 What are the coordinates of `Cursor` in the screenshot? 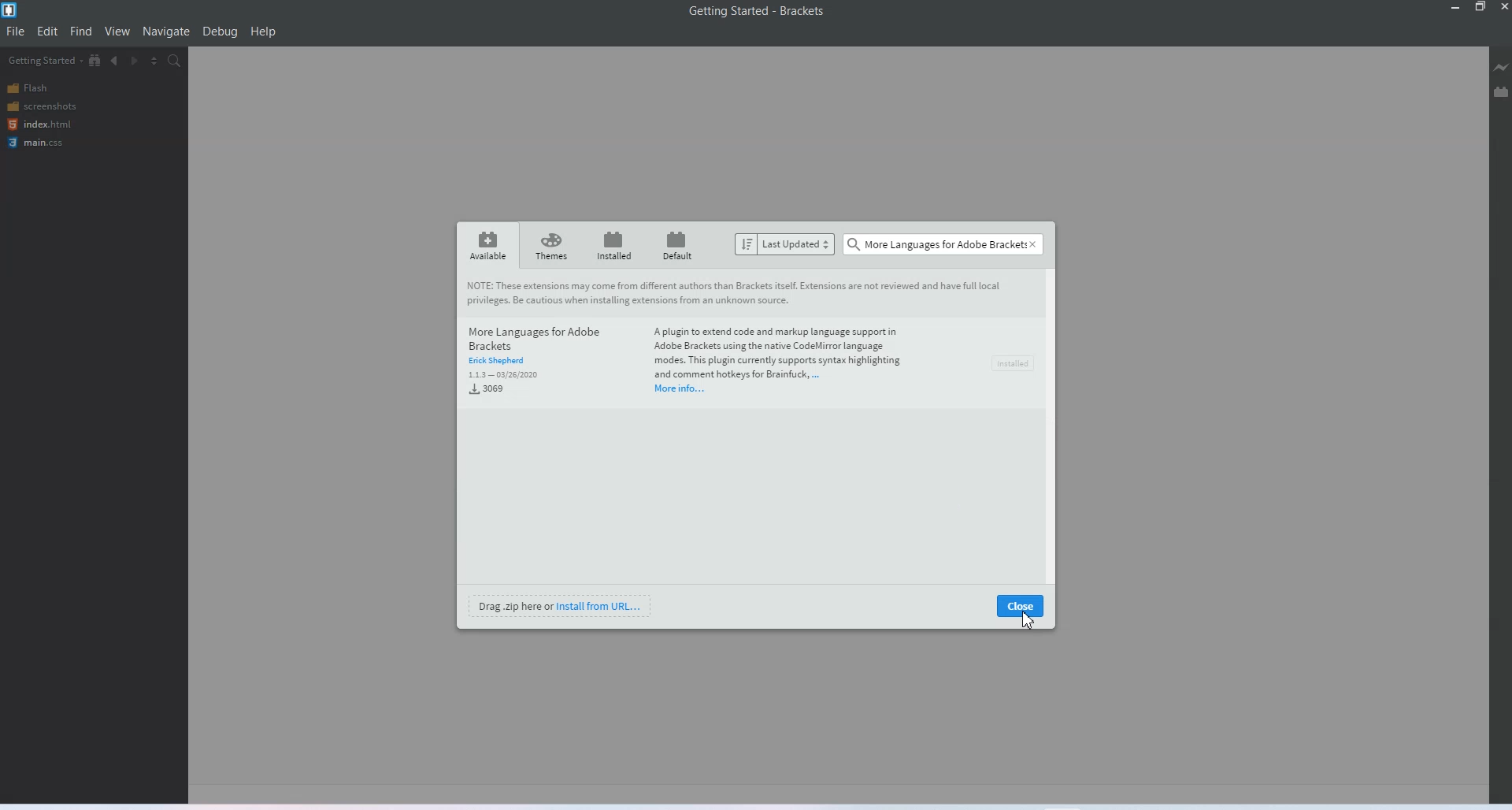 It's located at (1028, 621).